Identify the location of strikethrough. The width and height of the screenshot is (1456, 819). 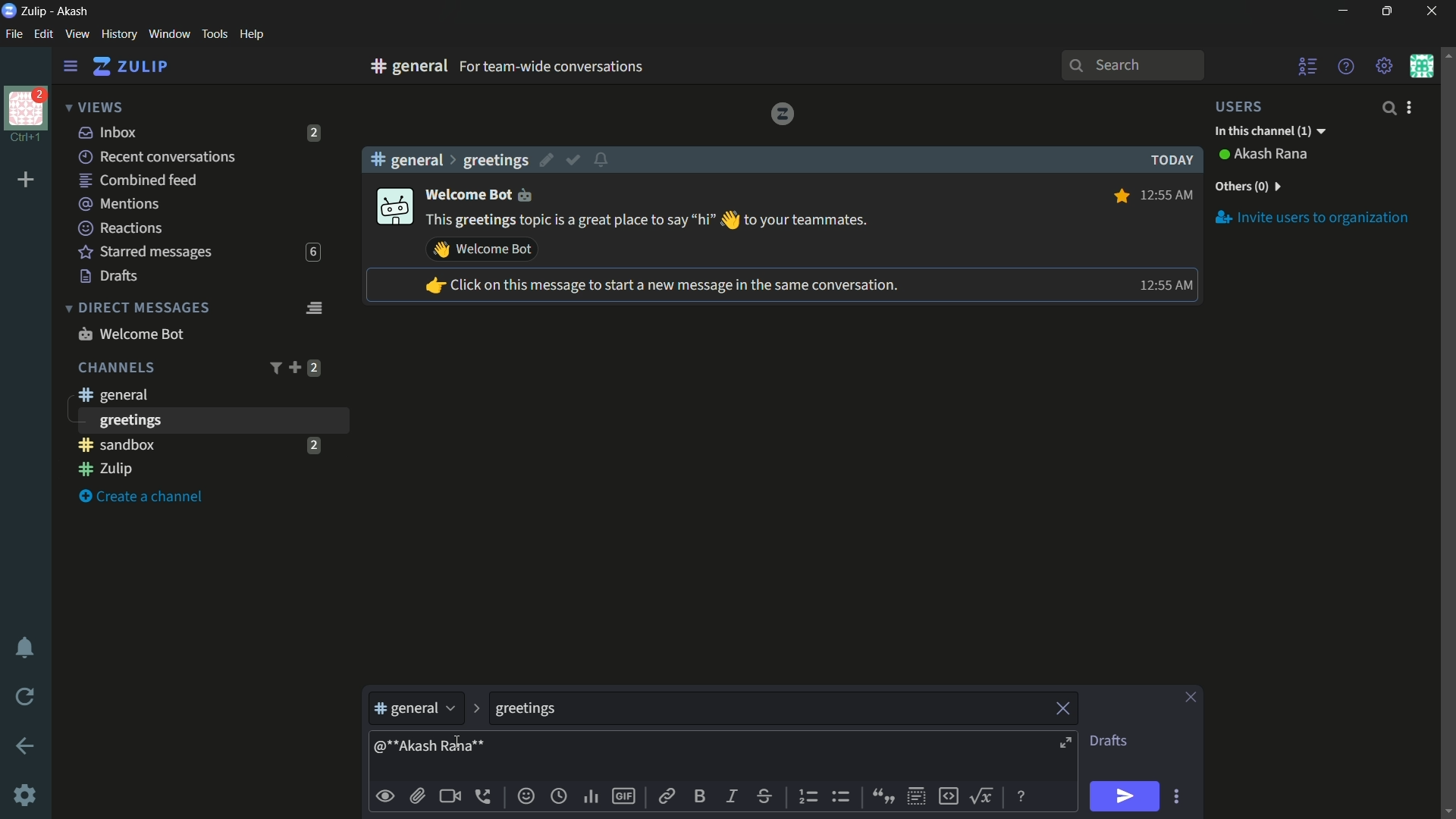
(765, 798).